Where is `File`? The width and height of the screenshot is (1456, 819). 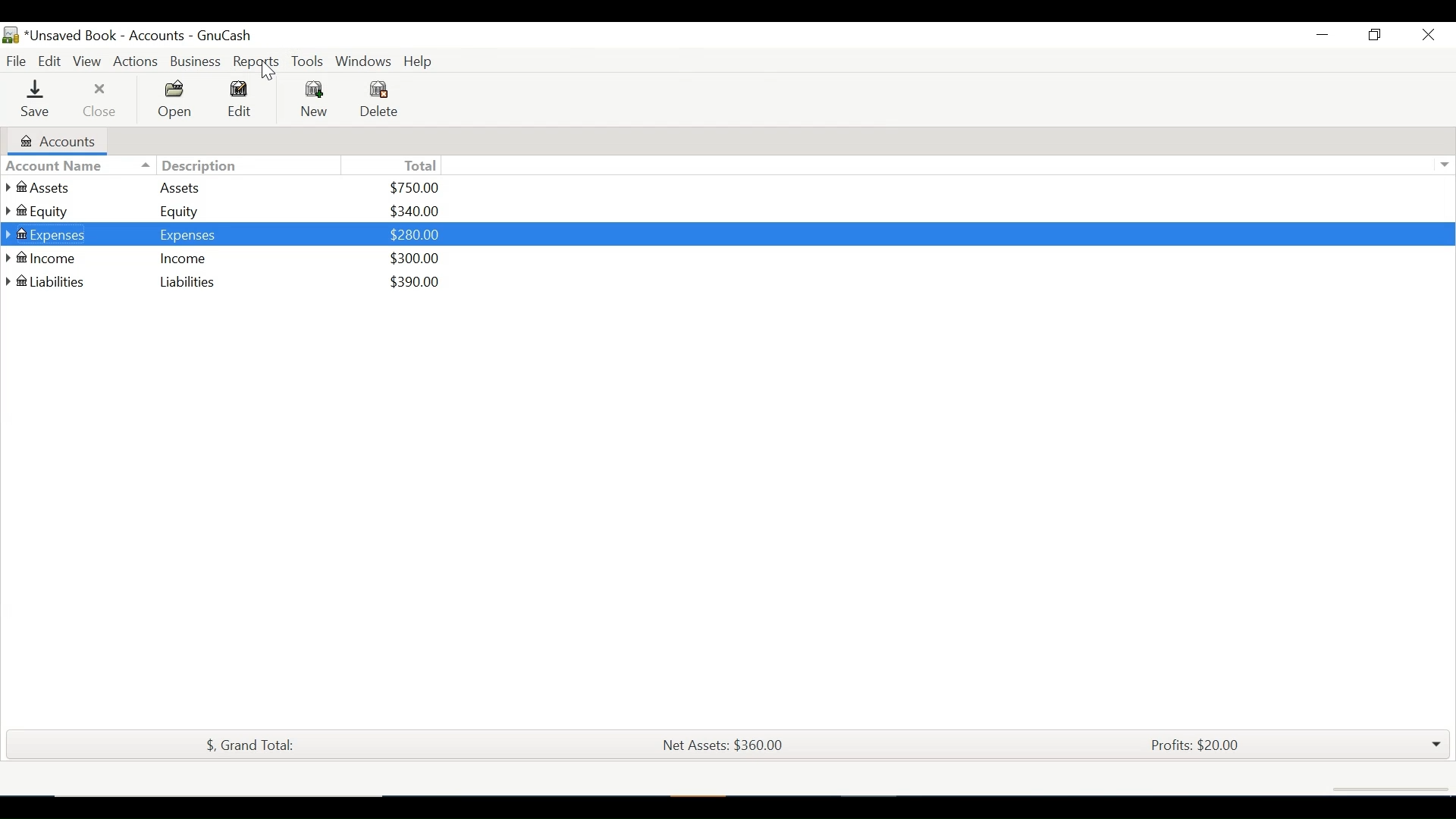 File is located at coordinates (14, 59).